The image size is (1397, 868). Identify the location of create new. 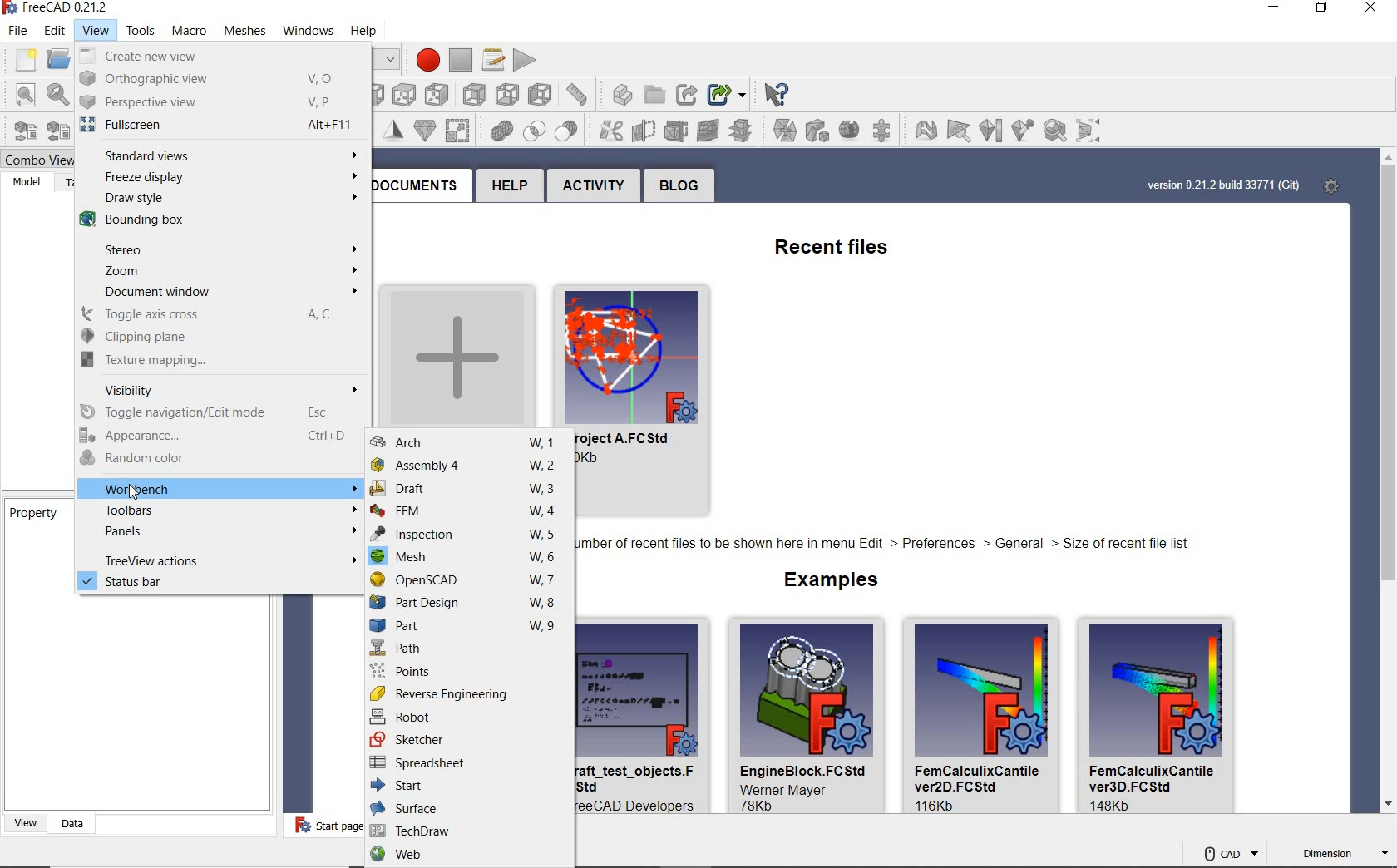
(453, 352).